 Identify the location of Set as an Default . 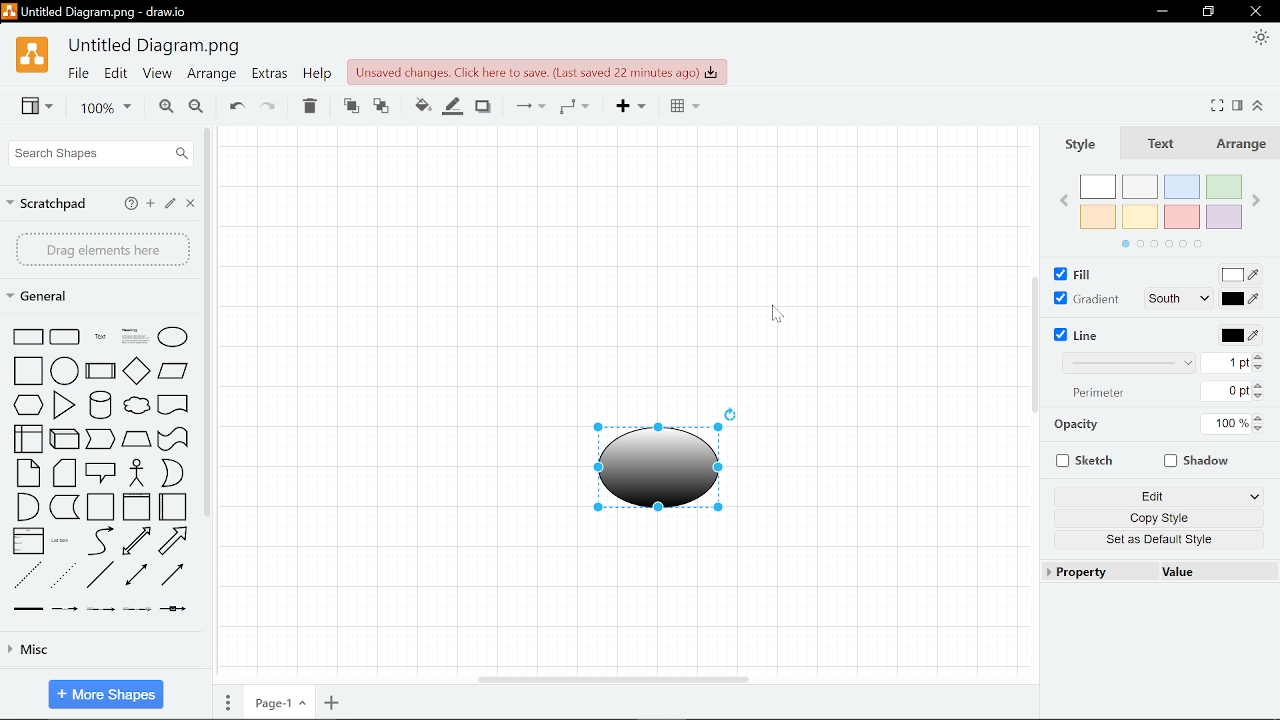
(1156, 542).